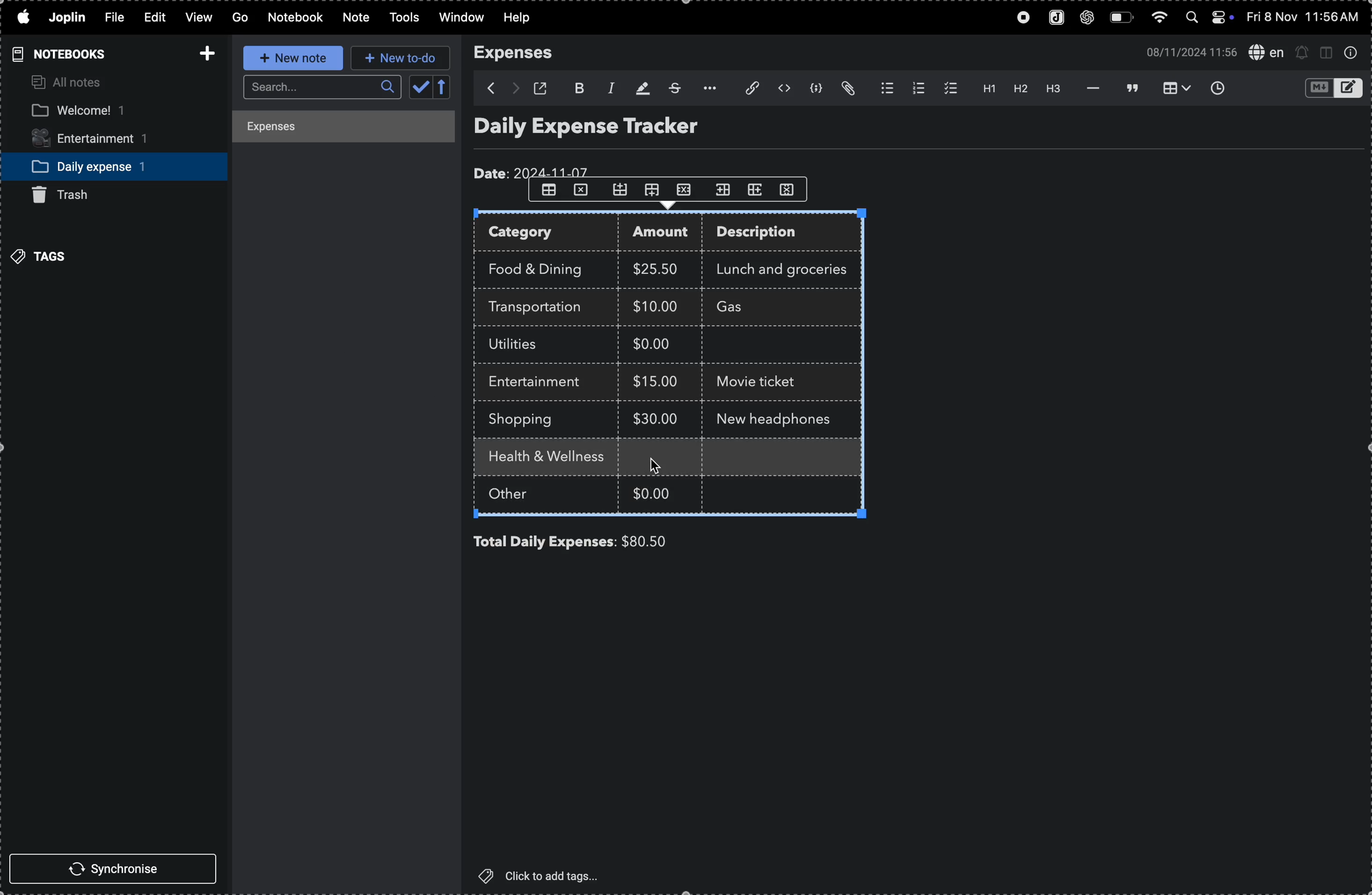 Image resolution: width=1372 pixels, height=895 pixels. Describe the element at coordinates (723, 189) in the screenshot. I see `shift coloumn to right` at that location.